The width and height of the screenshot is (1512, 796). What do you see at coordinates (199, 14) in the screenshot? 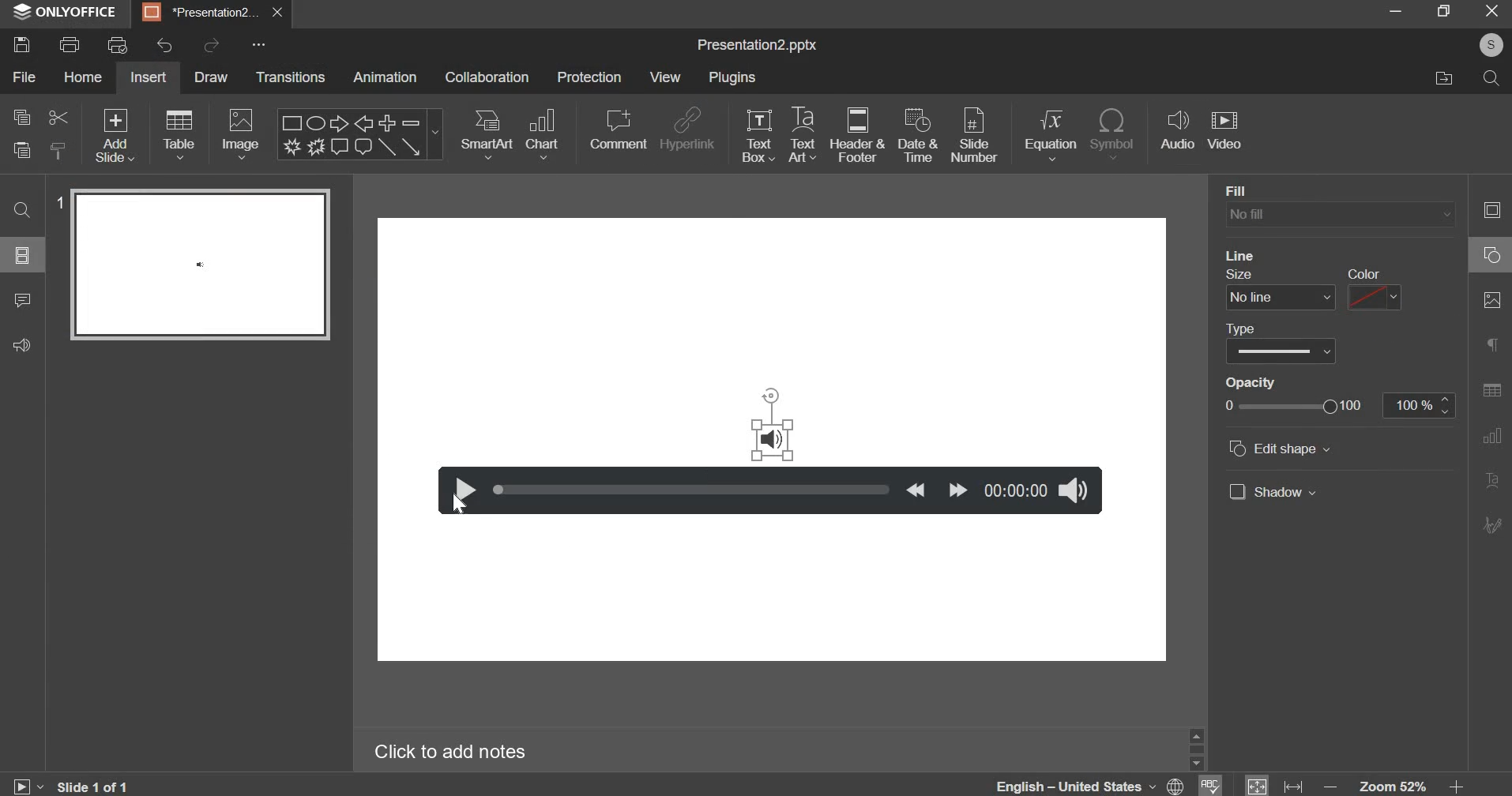
I see `Presentation2` at bounding box center [199, 14].